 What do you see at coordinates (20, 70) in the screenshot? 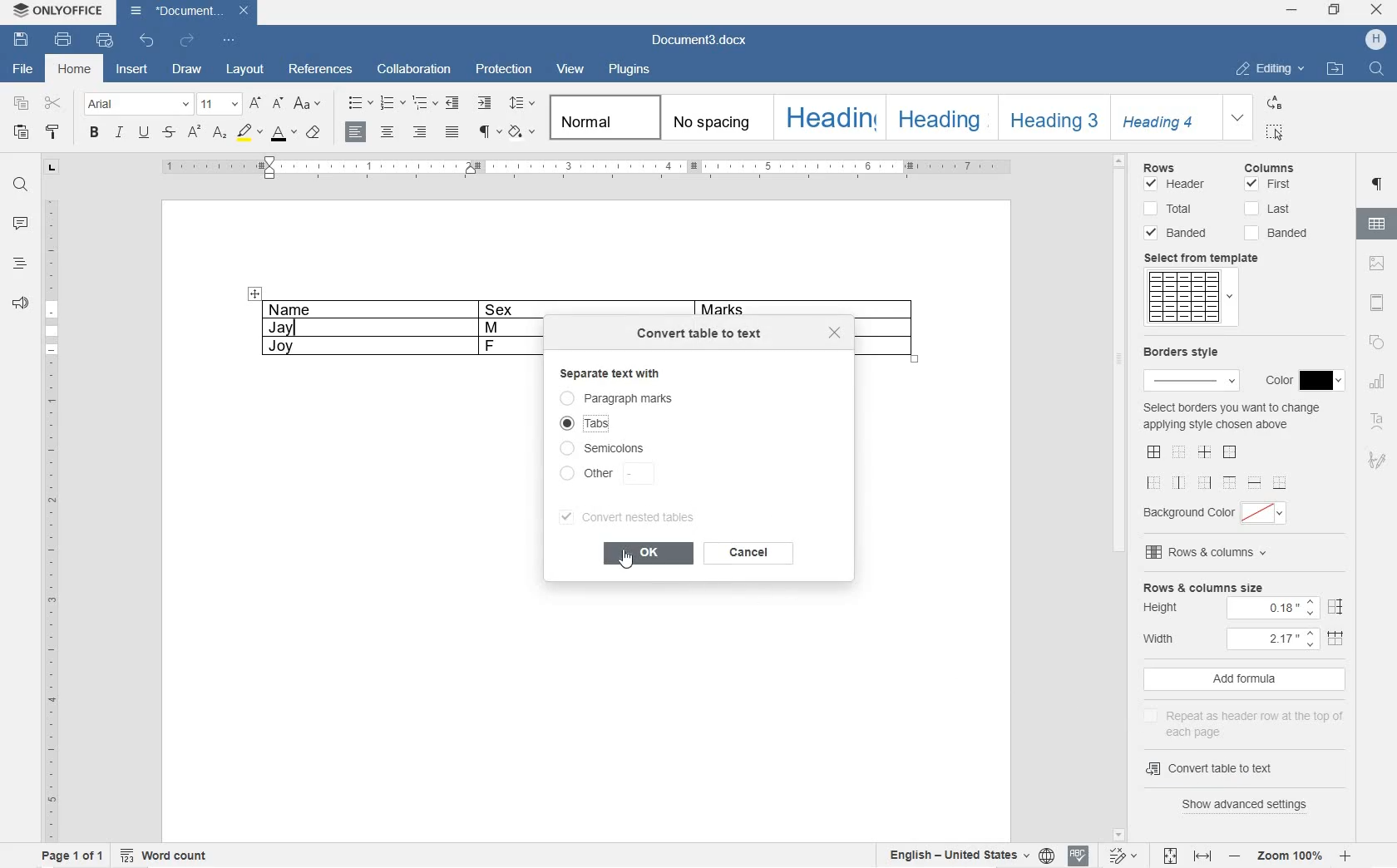
I see `FILE` at bounding box center [20, 70].